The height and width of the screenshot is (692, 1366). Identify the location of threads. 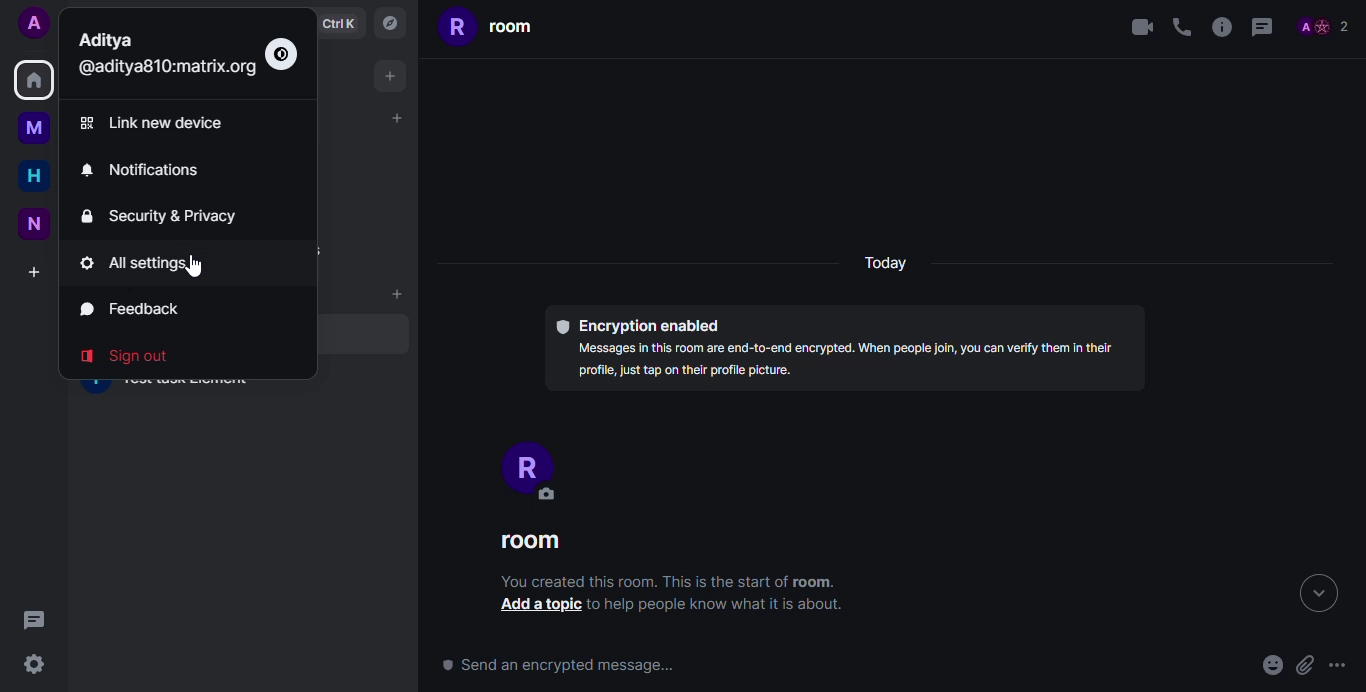
(1262, 27).